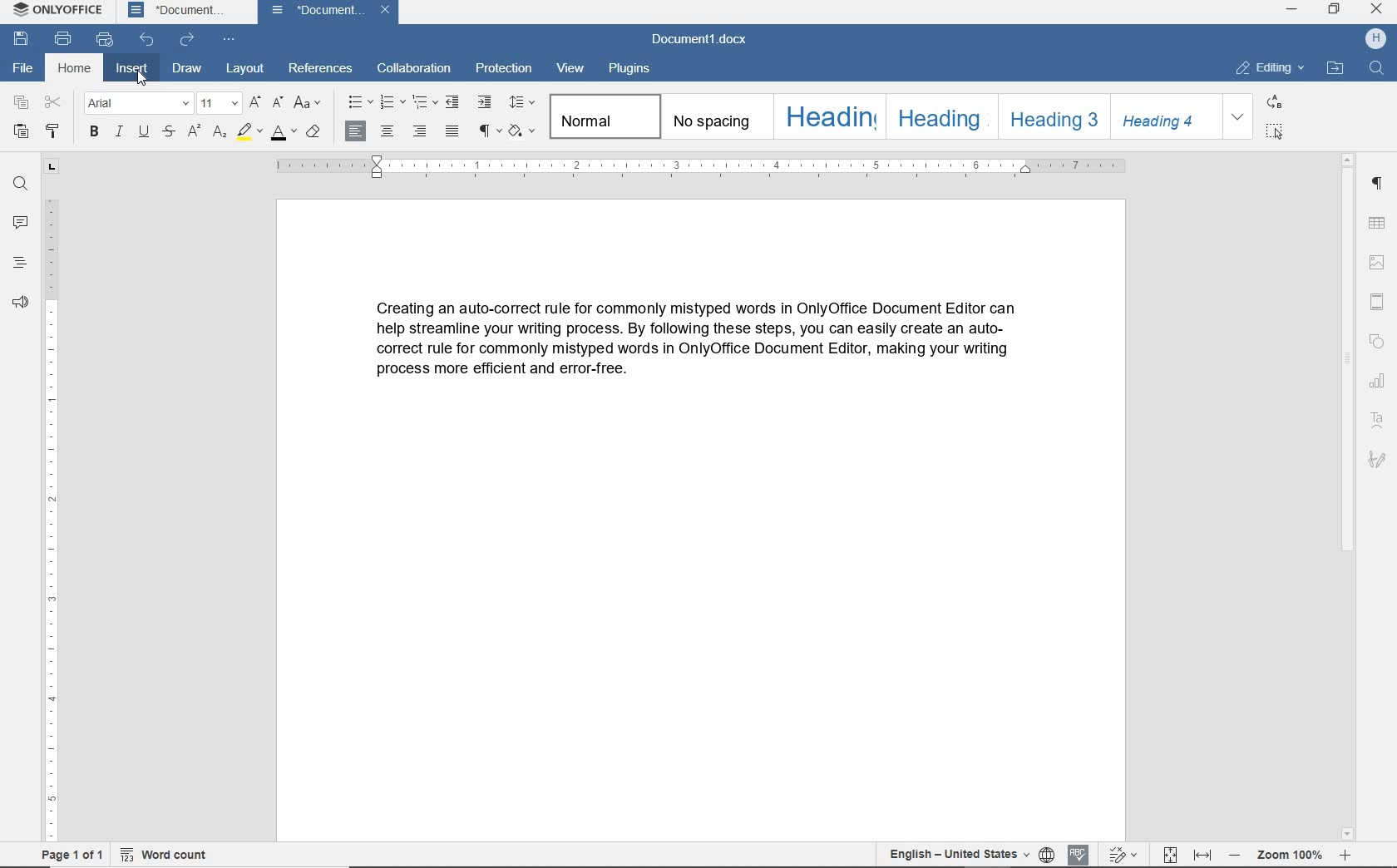 The image size is (1397, 868). Describe the element at coordinates (1378, 340) in the screenshot. I see `shape` at that location.